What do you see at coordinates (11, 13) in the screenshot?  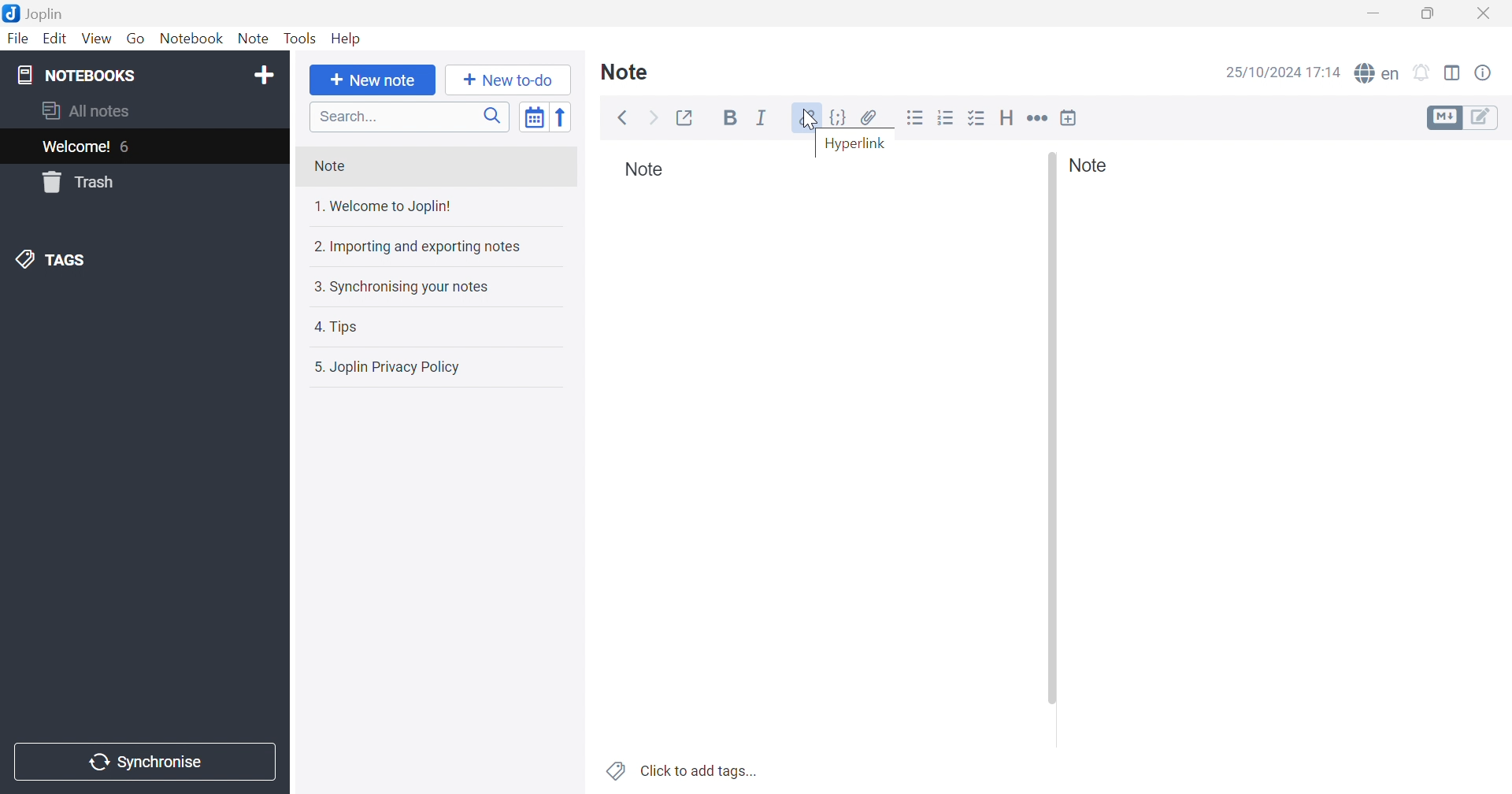 I see `joplin logo` at bounding box center [11, 13].